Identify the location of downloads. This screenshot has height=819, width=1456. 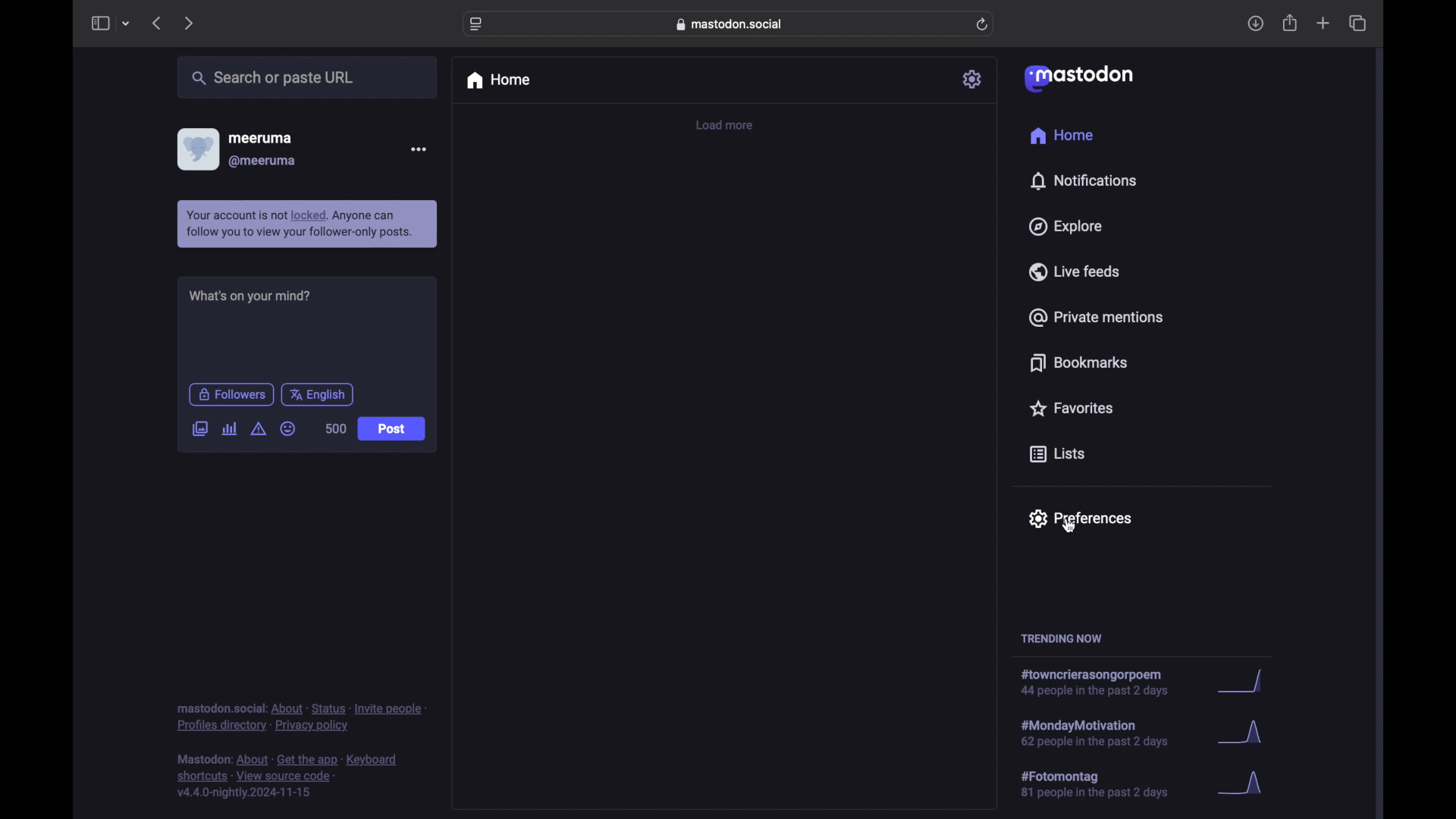
(1255, 24).